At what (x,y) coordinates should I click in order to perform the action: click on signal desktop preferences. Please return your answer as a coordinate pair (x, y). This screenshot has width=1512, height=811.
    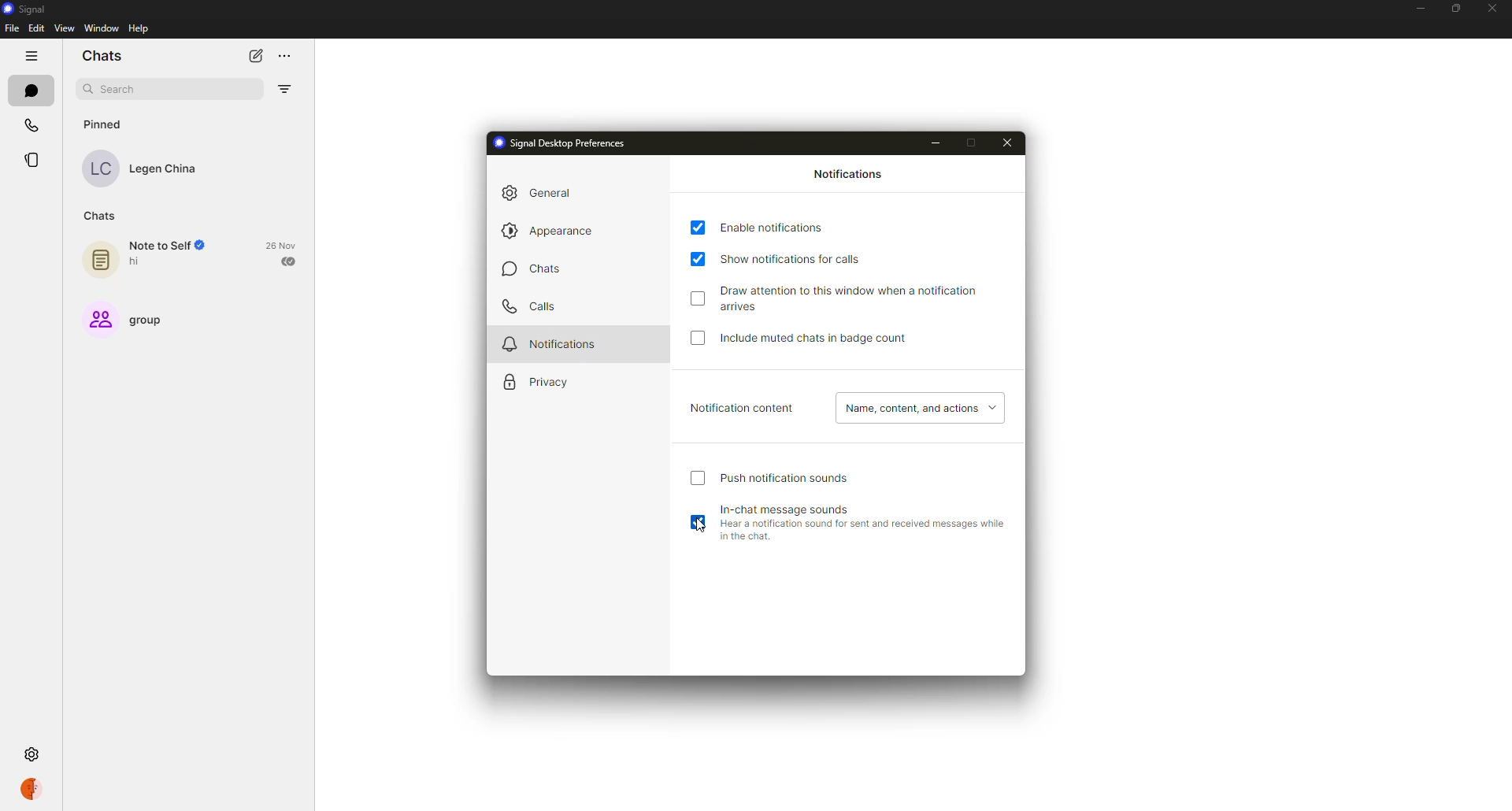
    Looking at the image, I should click on (565, 142).